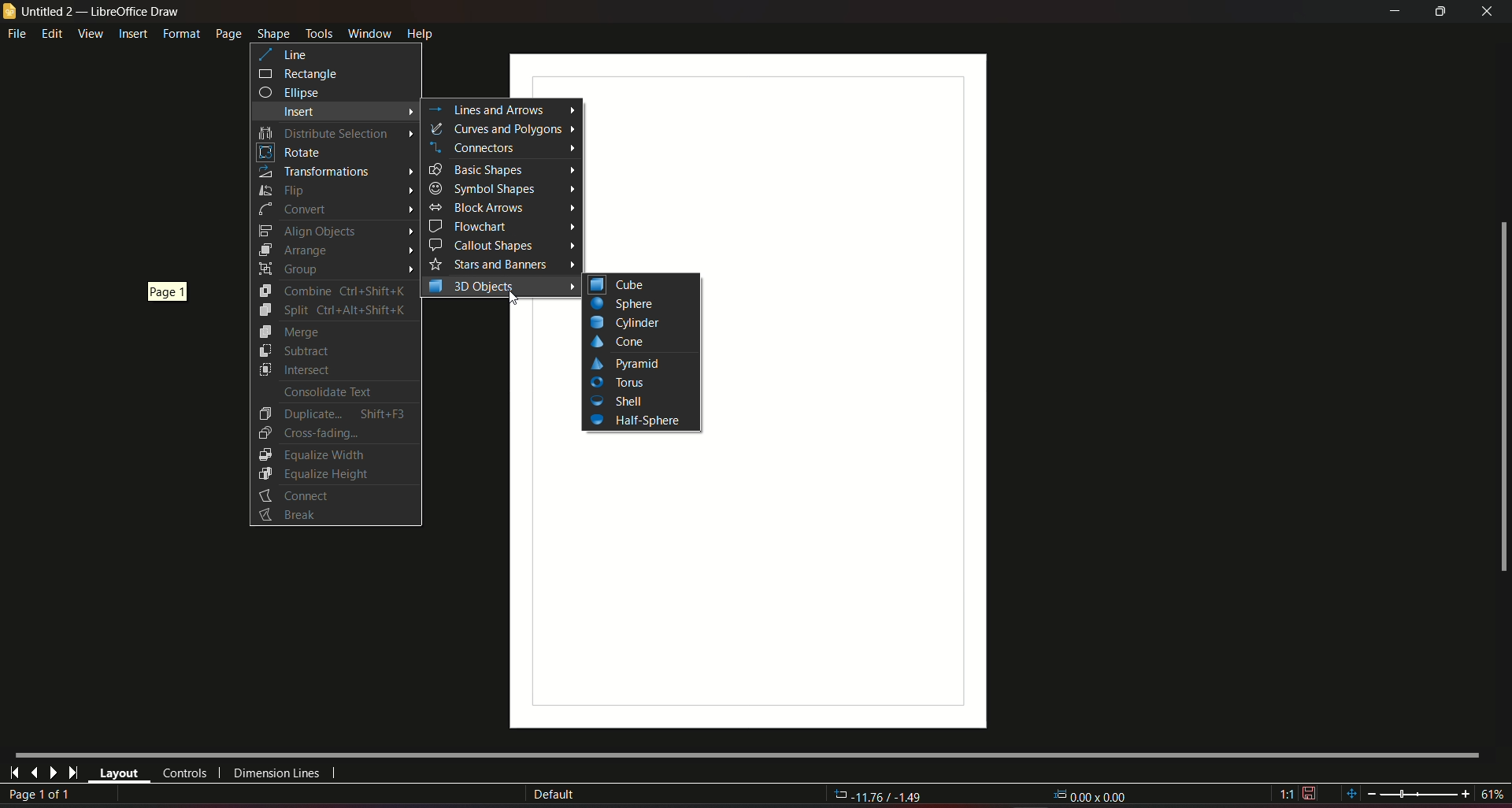 Image resolution: width=1512 pixels, height=808 pixels. What do you see at coordinates (53, 773) in the screenshot?
I see `next page` at bounding box center [53, 773].